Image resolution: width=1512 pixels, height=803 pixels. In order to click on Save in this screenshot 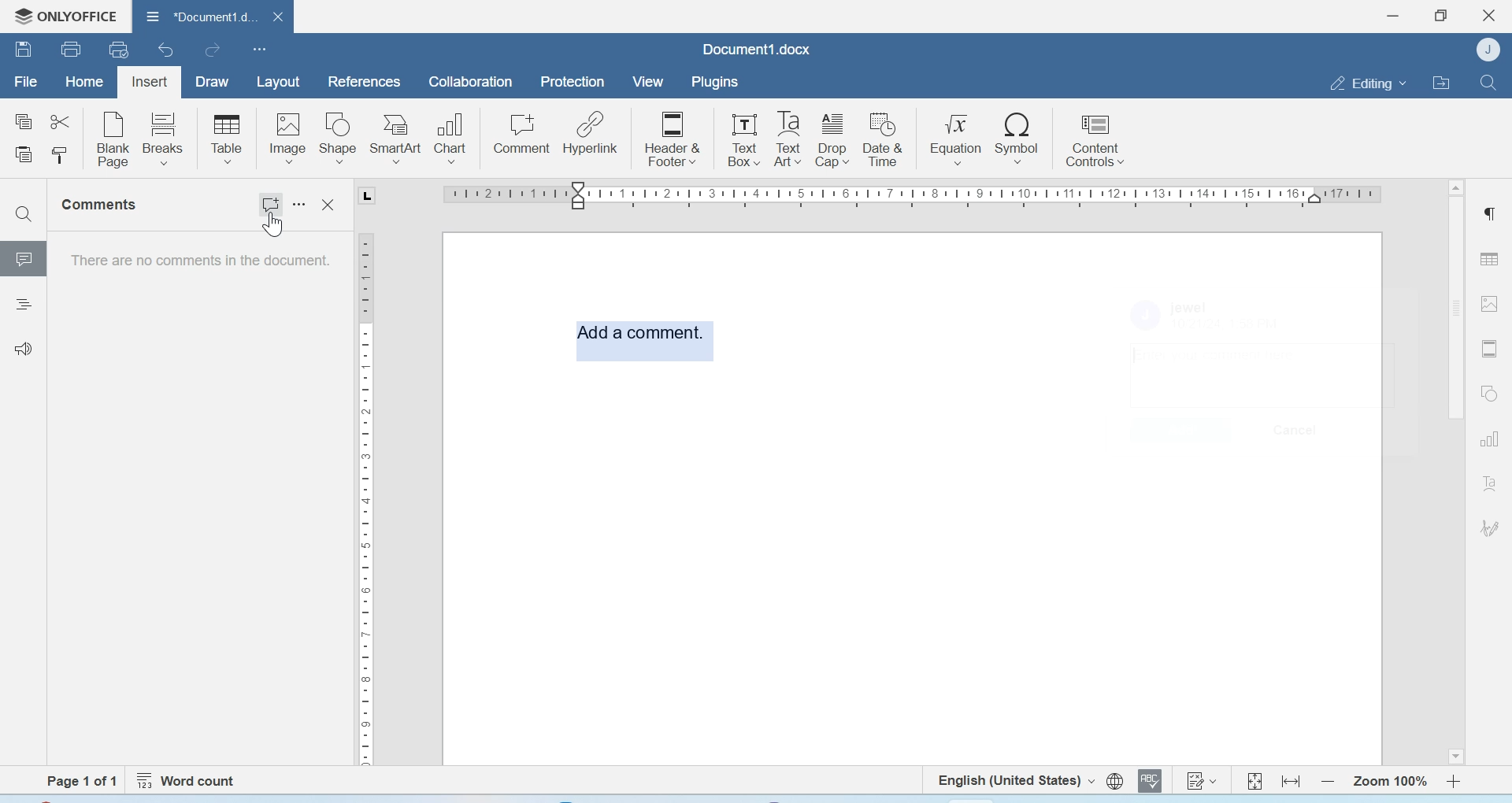, I will do `click(23, 48)`.